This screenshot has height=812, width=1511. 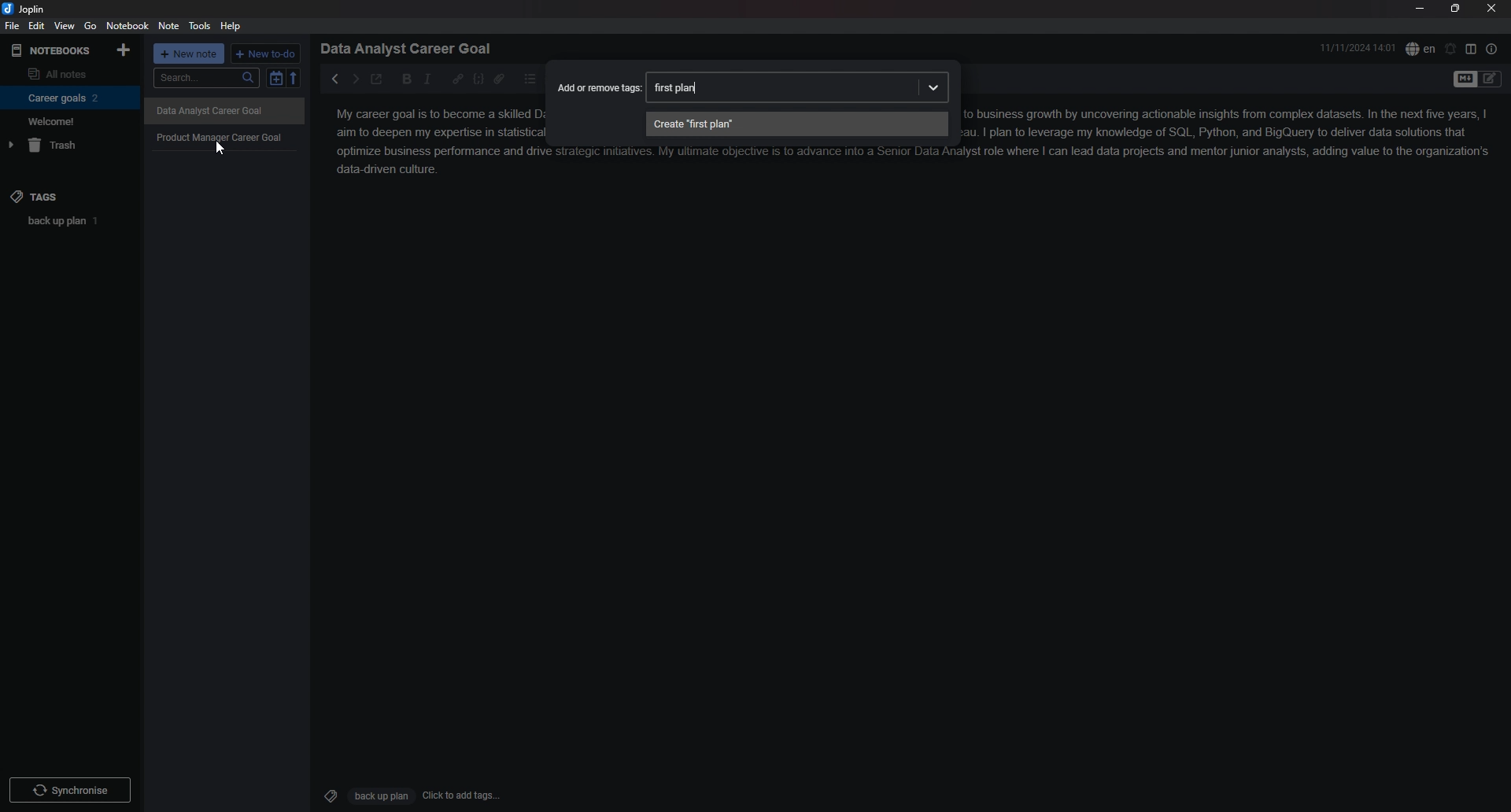 What do you see at coordinates (804, 86) in the screenshot?
I see `first plan` at bounding box center [804, 86].